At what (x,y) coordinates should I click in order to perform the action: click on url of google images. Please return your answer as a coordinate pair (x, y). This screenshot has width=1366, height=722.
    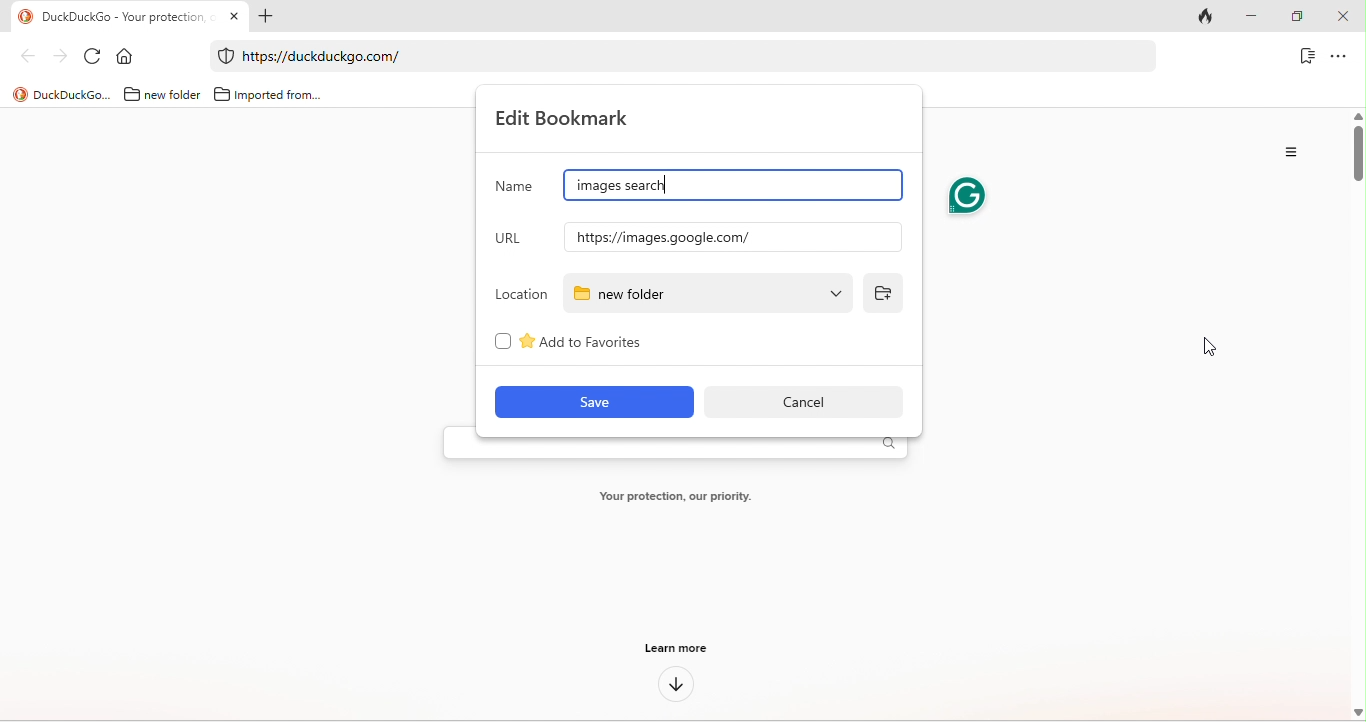
    Looking at the image, I should click on (731, 236).